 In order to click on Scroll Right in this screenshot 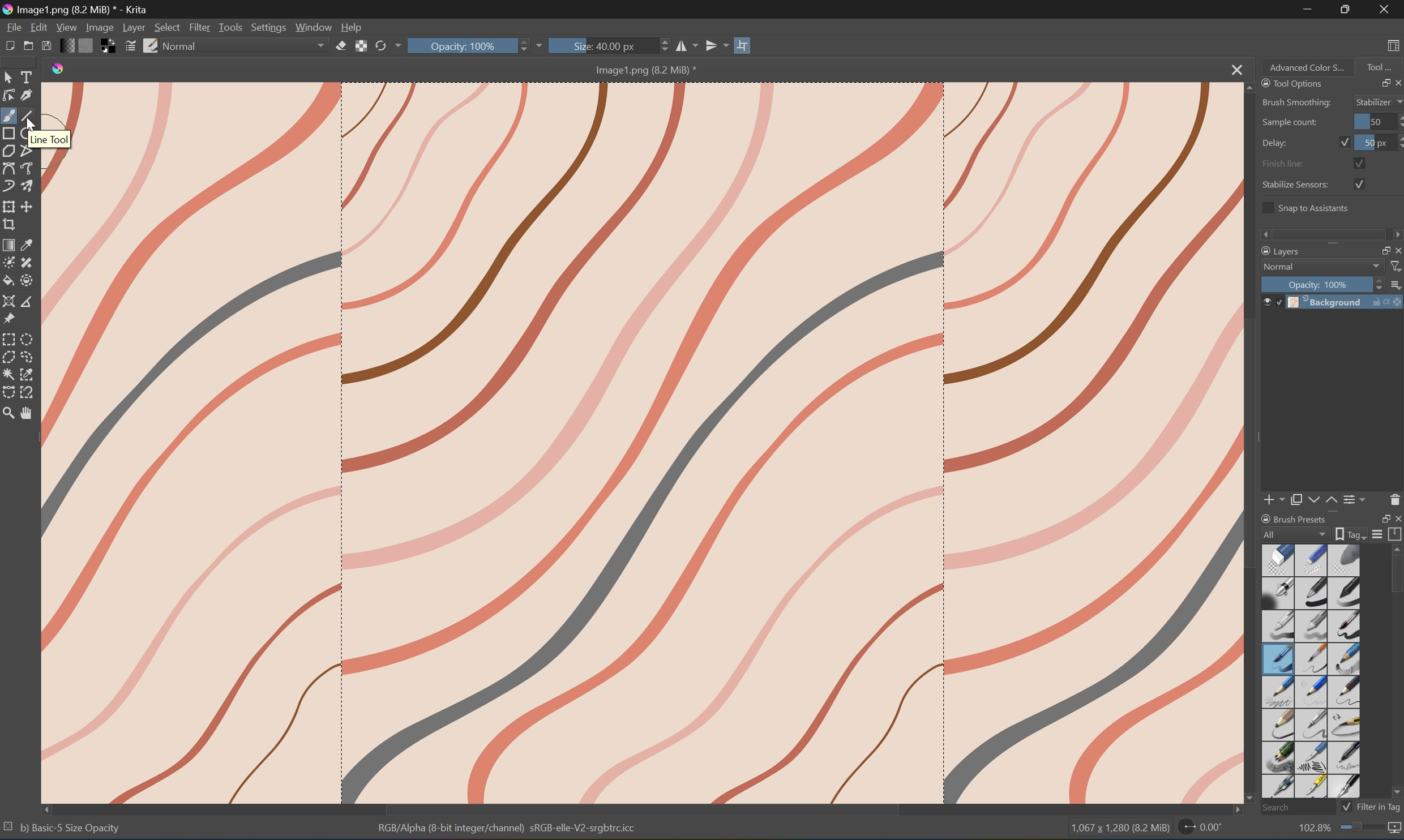, I will do `click(1232, 811)`.